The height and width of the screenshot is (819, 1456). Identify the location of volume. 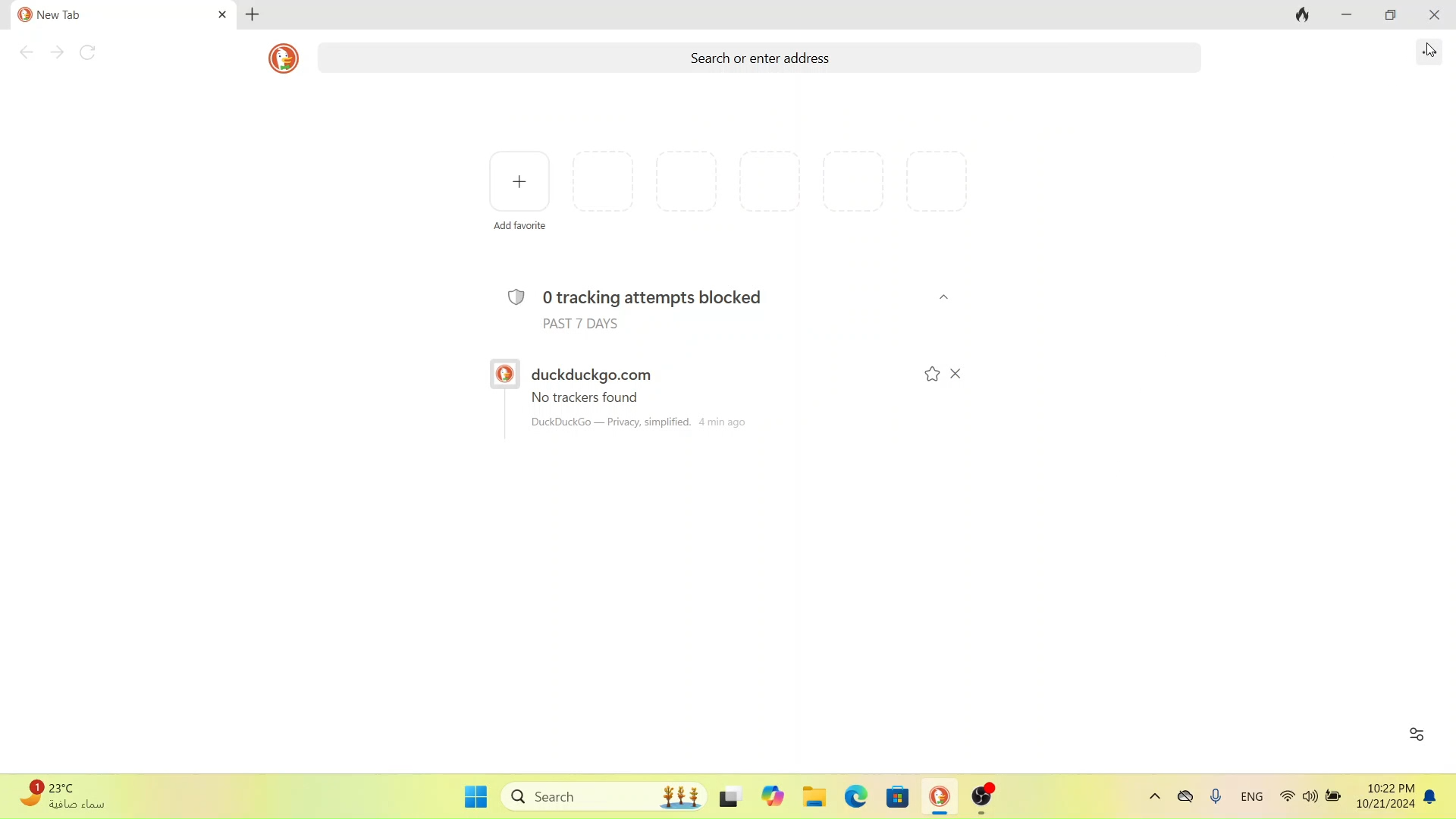
(1309, 803).